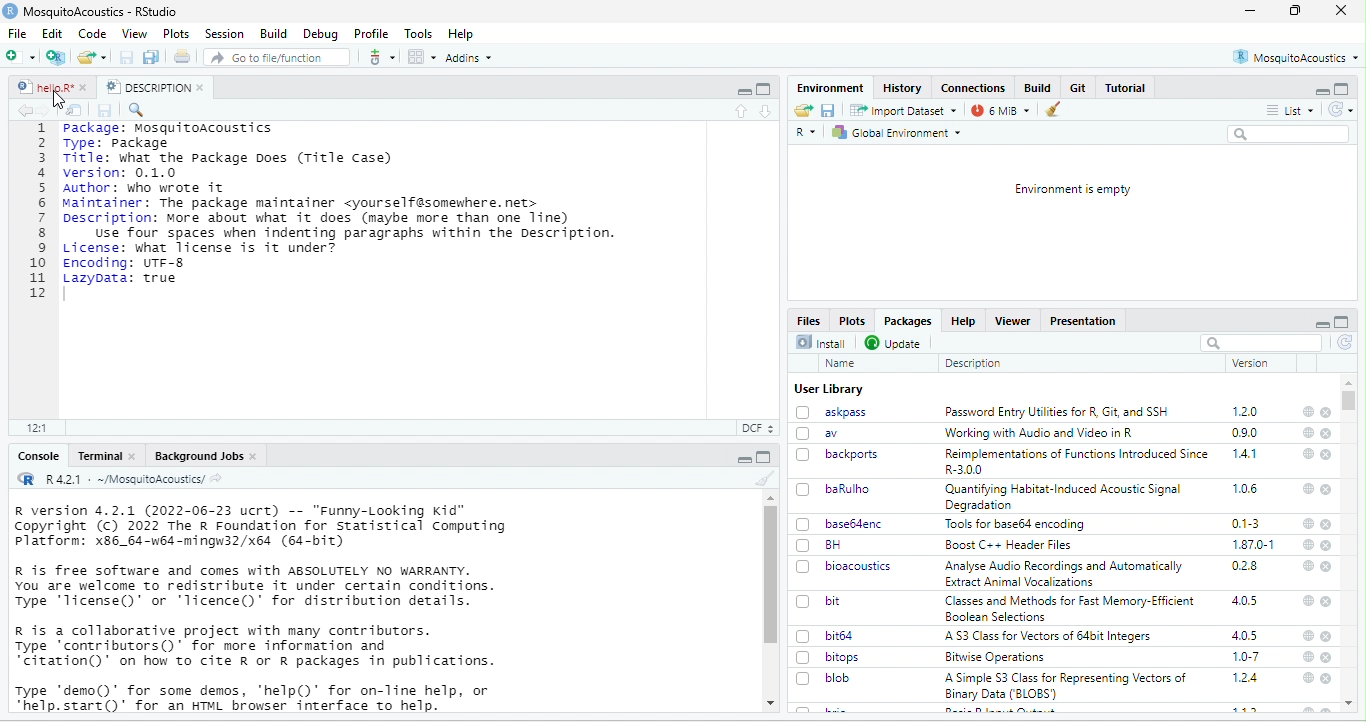 Image resolution: width=1366 pixels, height=722 pixels. Describe the element at coordinates (830, 658) in the screenshot. I see `bitops` at that location.